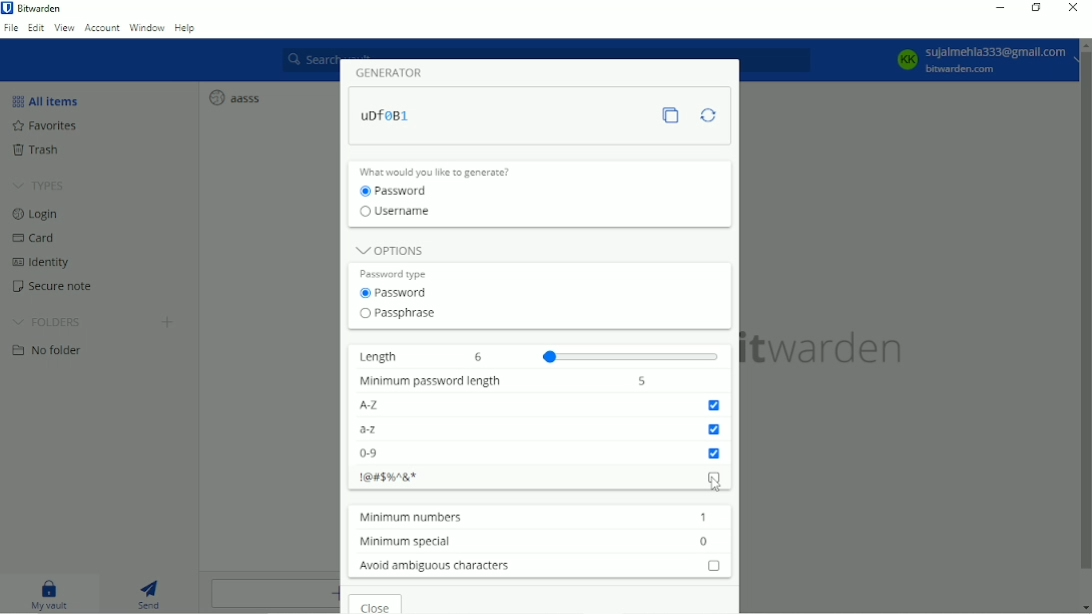  What do you see at coordinates (384, 430) in the screenshot?
I see `a-z` at bounding box center [384, 430].